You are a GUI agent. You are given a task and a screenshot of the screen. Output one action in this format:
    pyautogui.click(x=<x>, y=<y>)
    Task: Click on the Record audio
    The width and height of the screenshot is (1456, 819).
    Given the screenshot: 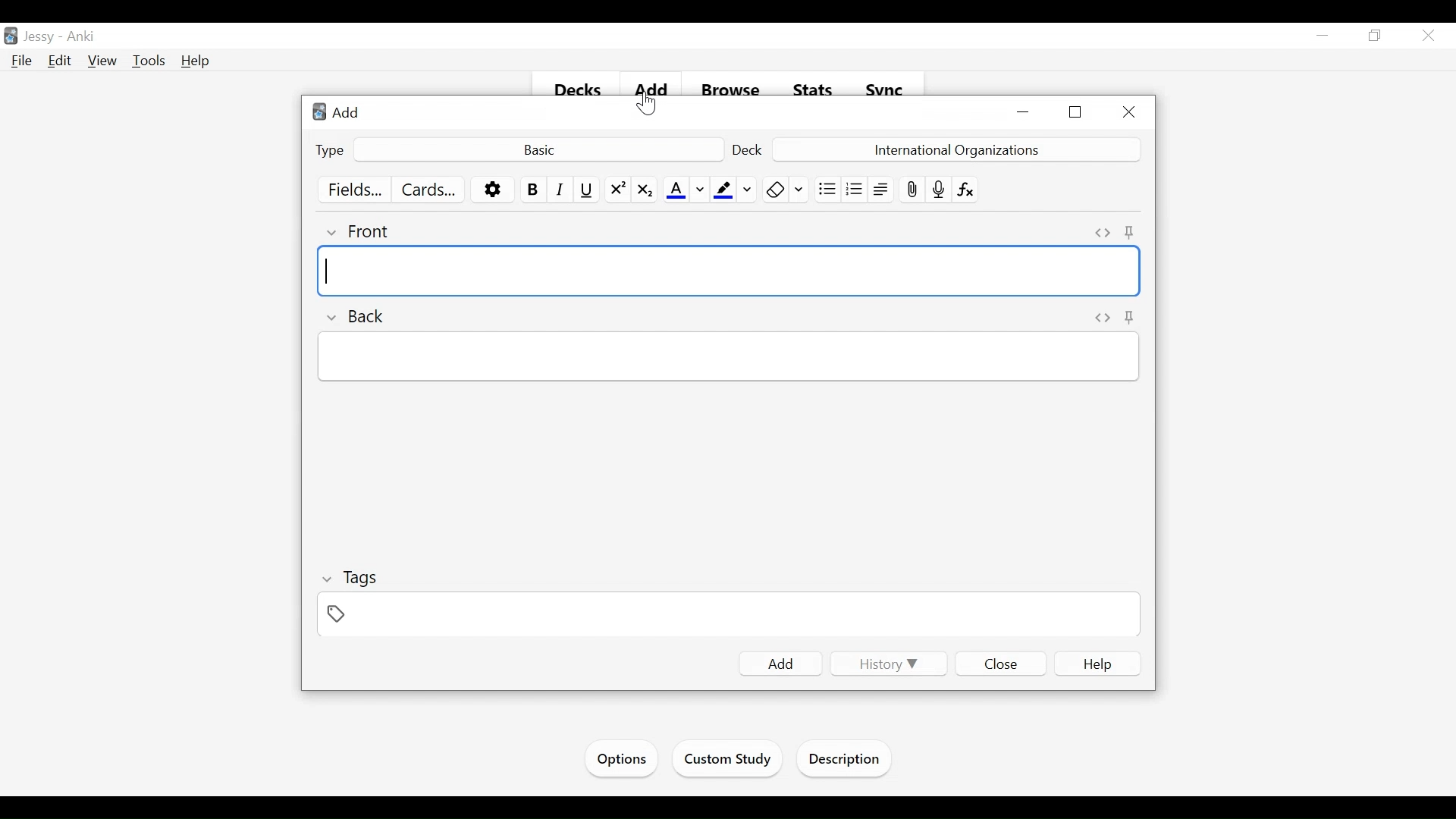 What is the action you would take?
    pyautogui.click(x=938, y=190)
    